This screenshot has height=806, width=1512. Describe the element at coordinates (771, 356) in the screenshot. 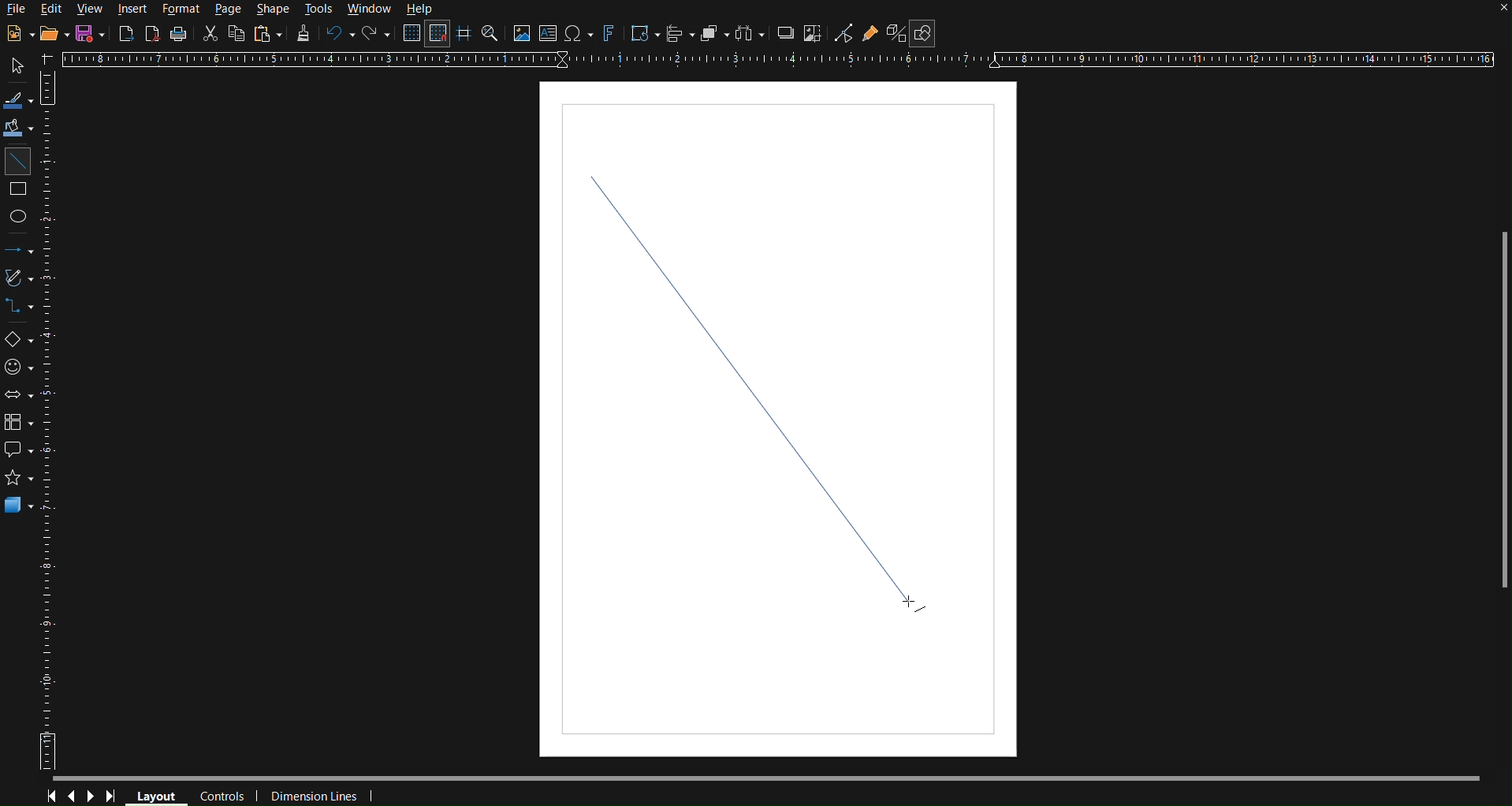

I see `Line (dragged)` at that location.